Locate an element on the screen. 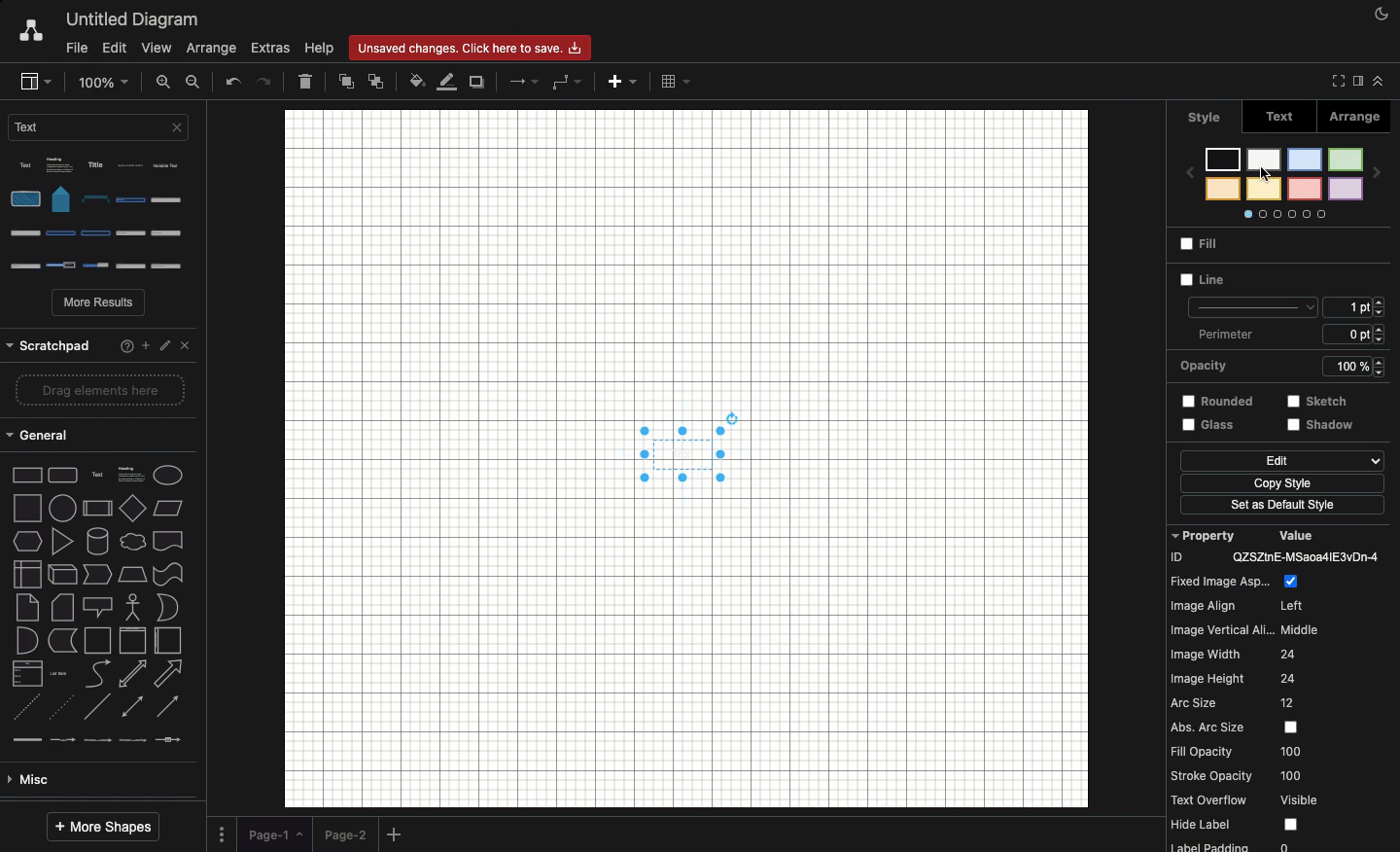  Size is located at coordinates (1357, 321).